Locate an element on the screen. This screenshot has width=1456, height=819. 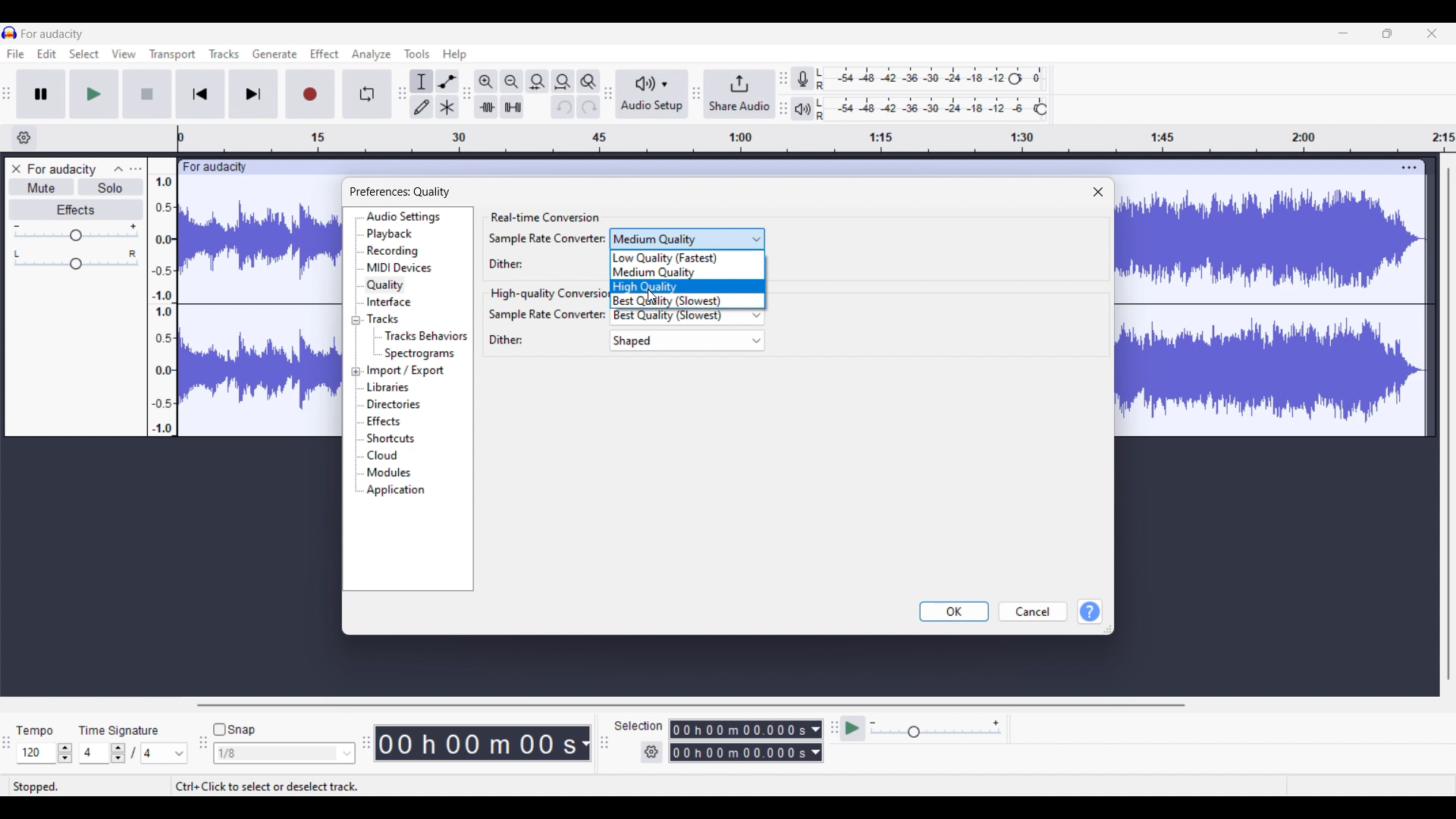
Minimize is located at coordinates (1344, 33).